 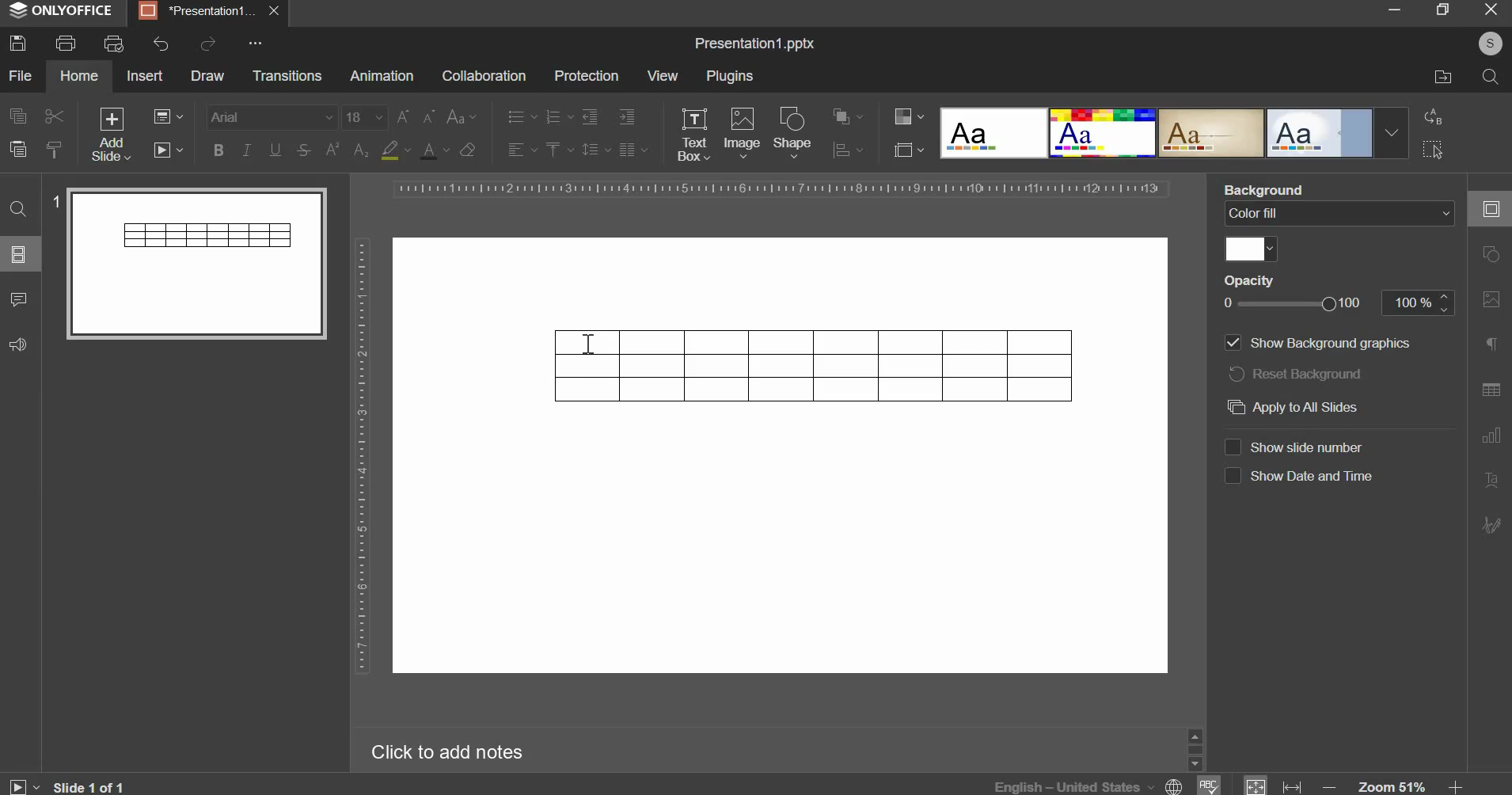 I want to click on change layout, so click(x=167, y=116).